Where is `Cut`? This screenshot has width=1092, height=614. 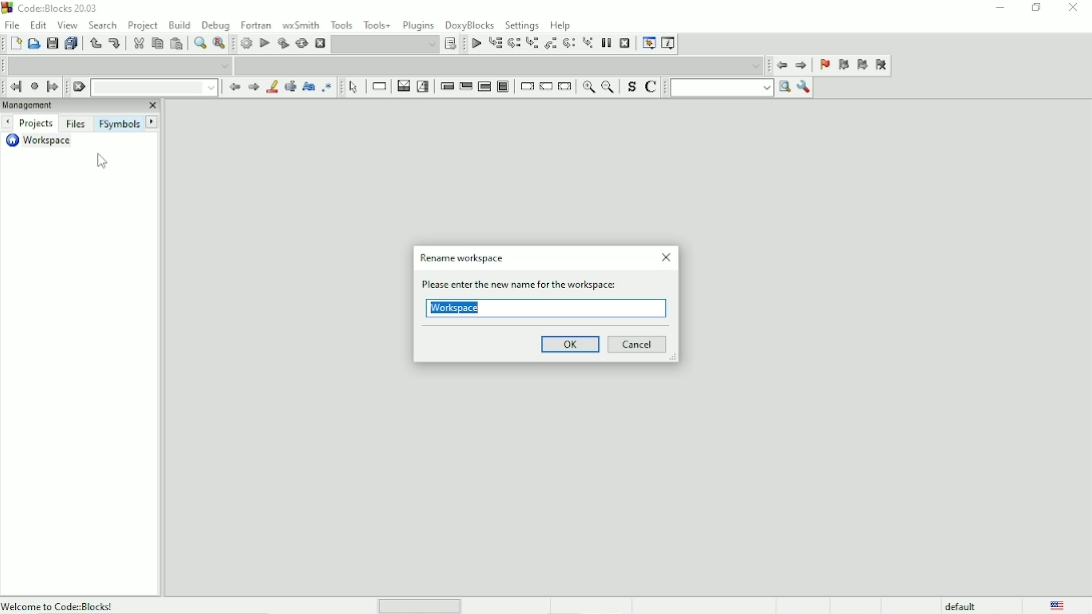 Cut is located at coordinates (138, 43).